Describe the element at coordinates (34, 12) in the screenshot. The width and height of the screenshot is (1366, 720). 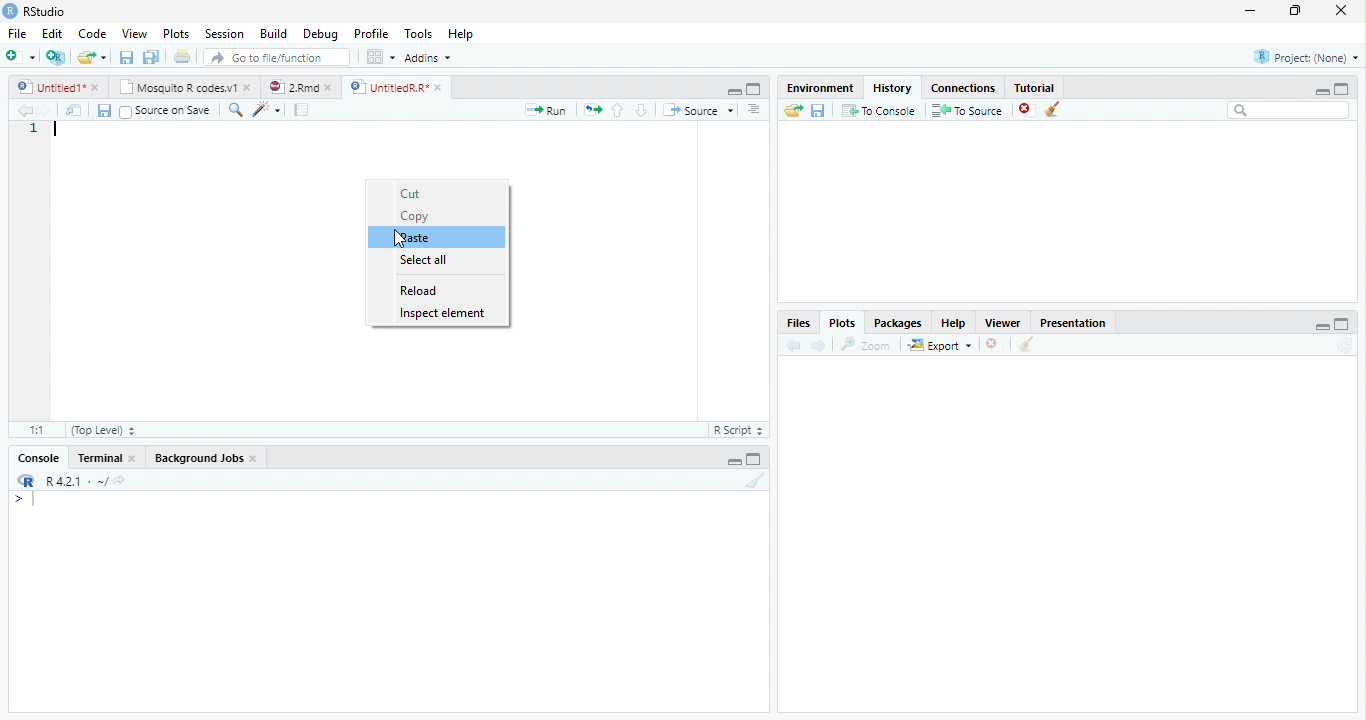
I see `' RStudio` at that location.